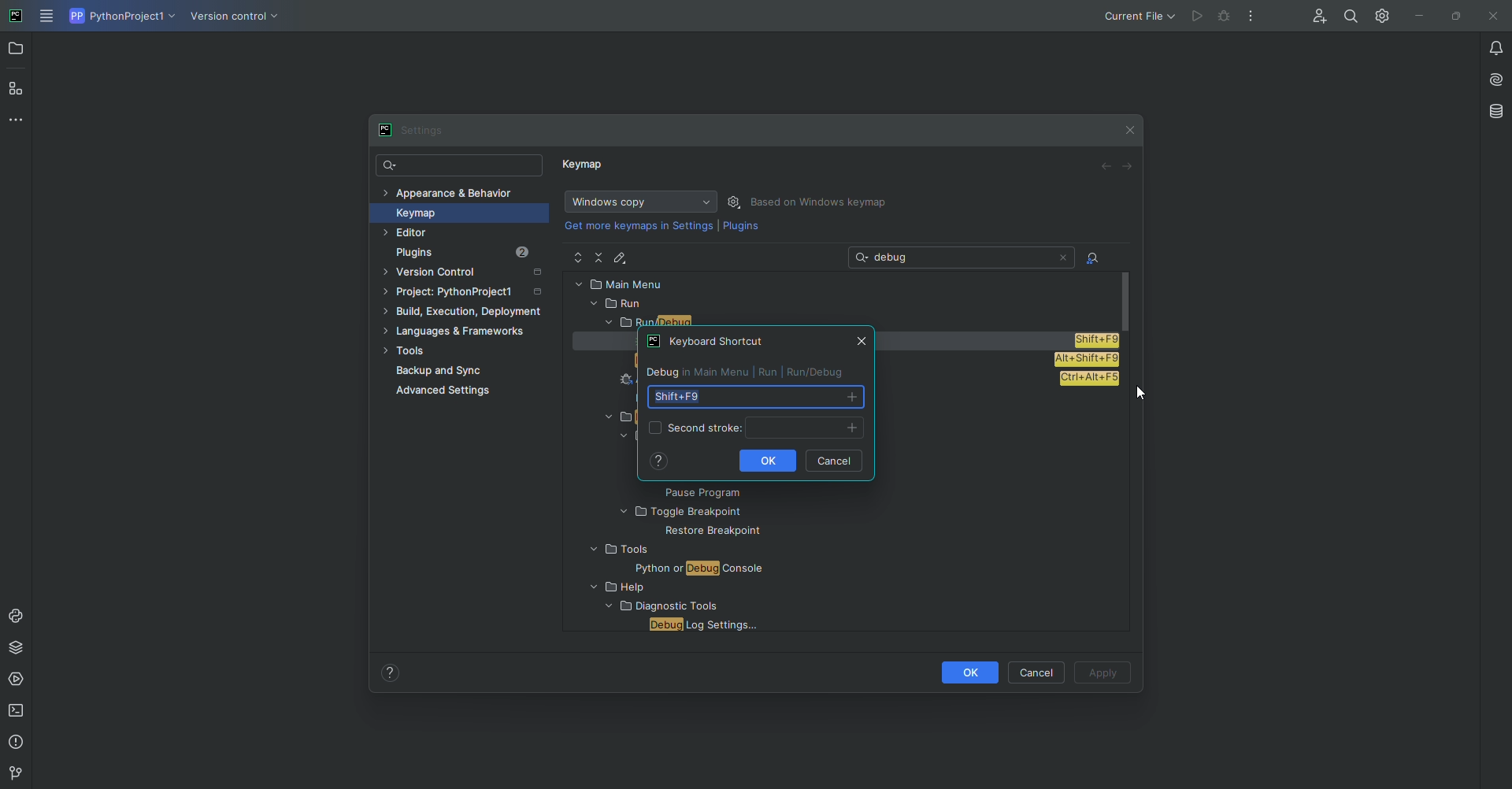 The height and width of the screenshot is (789, 1512). Describe the element at coordinates (460, 352) in the screenshot. I see `Tools` at that location.